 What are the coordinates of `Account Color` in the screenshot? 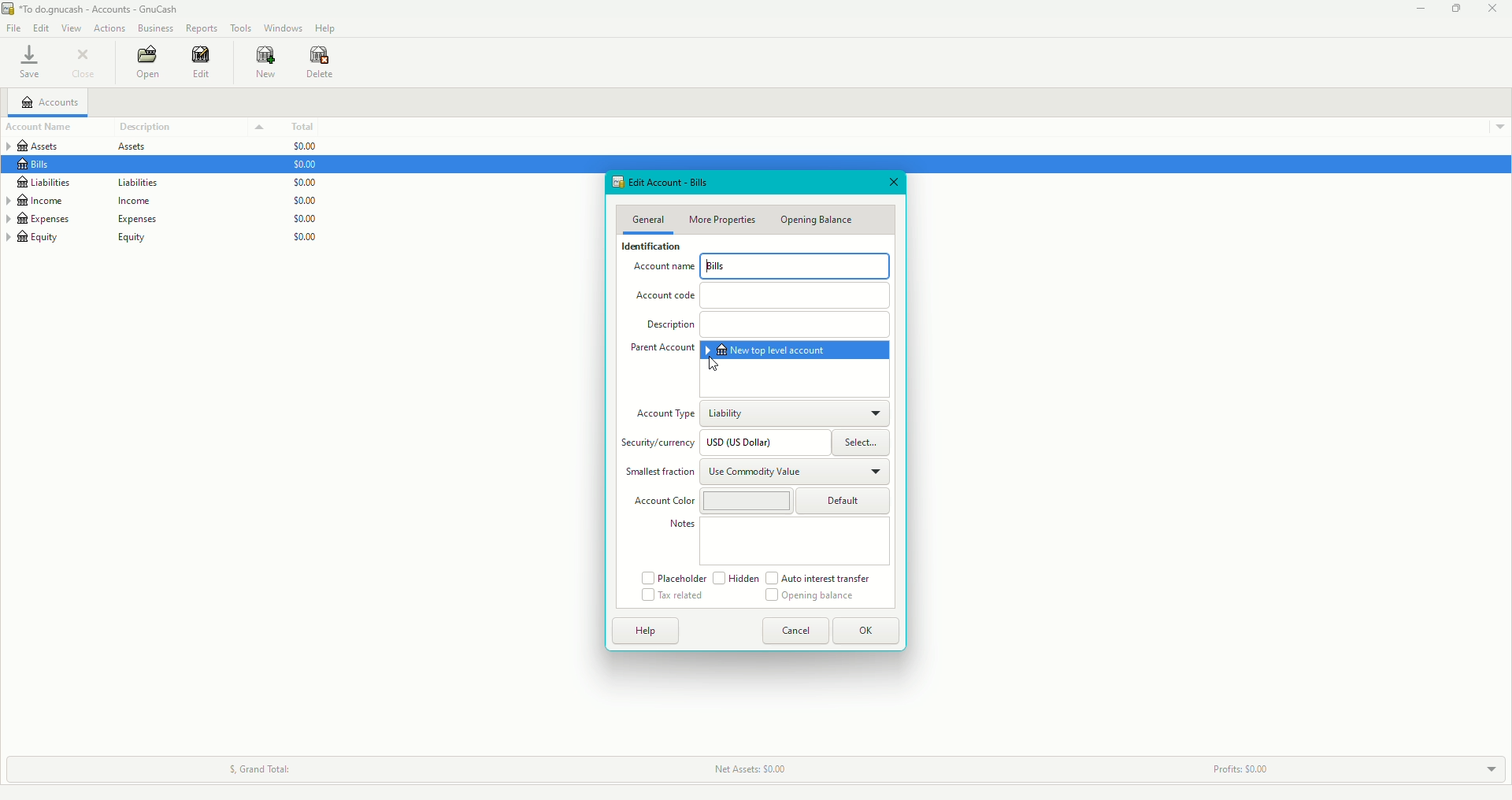 It's located at (661, 501).